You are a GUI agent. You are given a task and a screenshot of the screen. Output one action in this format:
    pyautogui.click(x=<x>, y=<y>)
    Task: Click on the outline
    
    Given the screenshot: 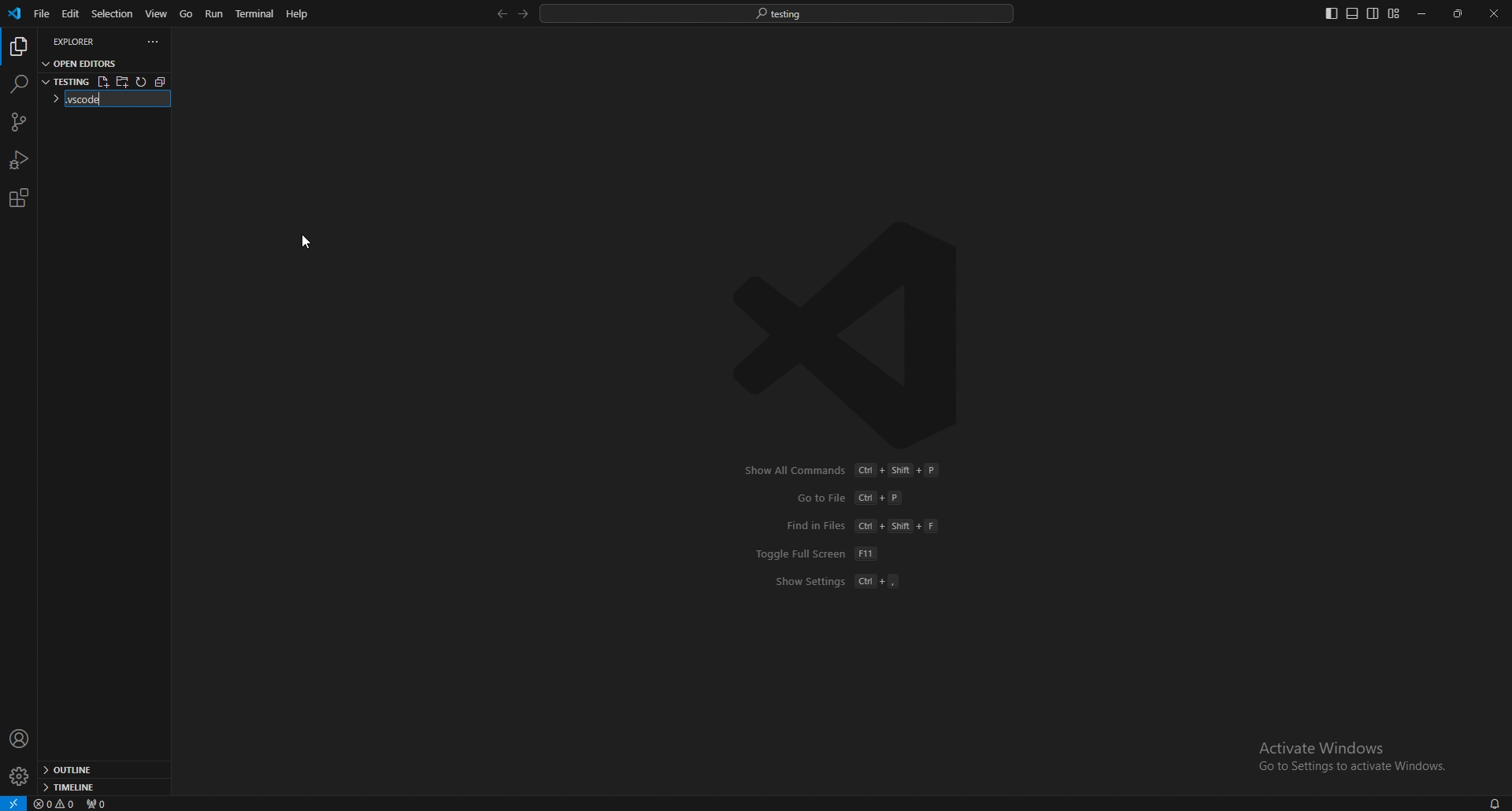 What is the action you would take?
    pyautogui.click(x=102, y=771)
    